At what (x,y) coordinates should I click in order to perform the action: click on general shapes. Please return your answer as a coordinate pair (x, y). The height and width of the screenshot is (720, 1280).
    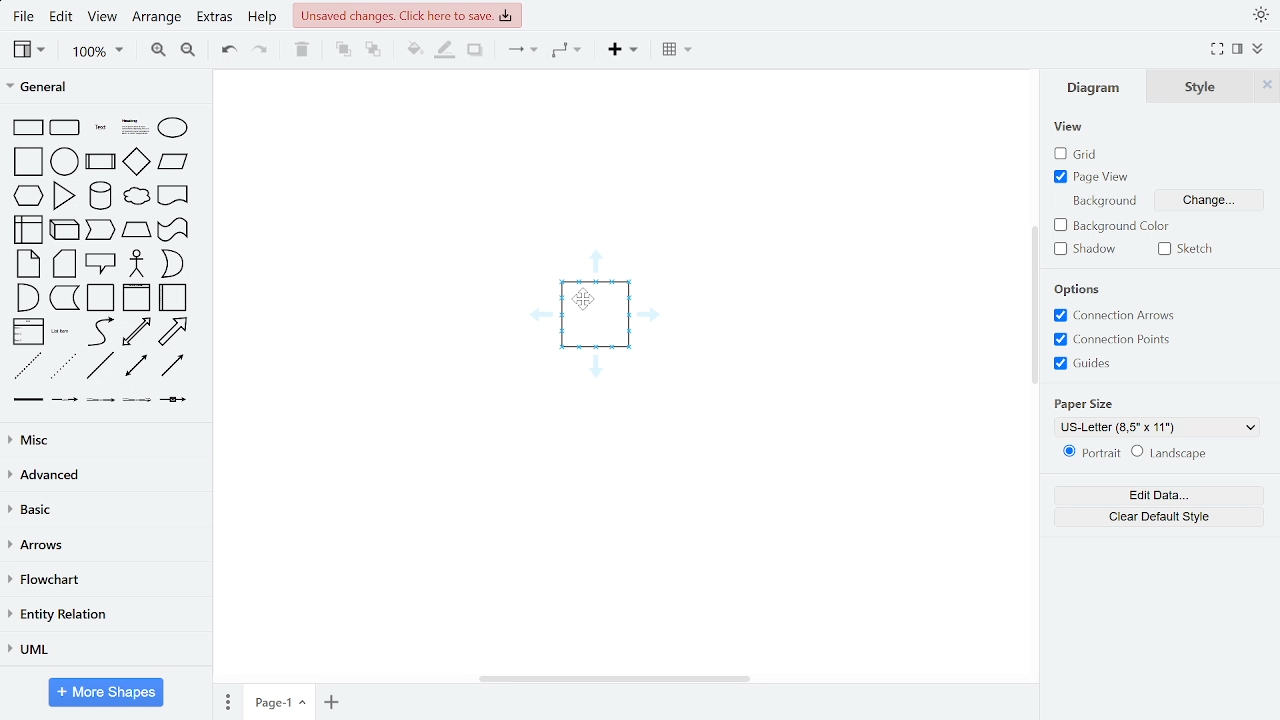
    Looking at the image, I should click on (172, 229).